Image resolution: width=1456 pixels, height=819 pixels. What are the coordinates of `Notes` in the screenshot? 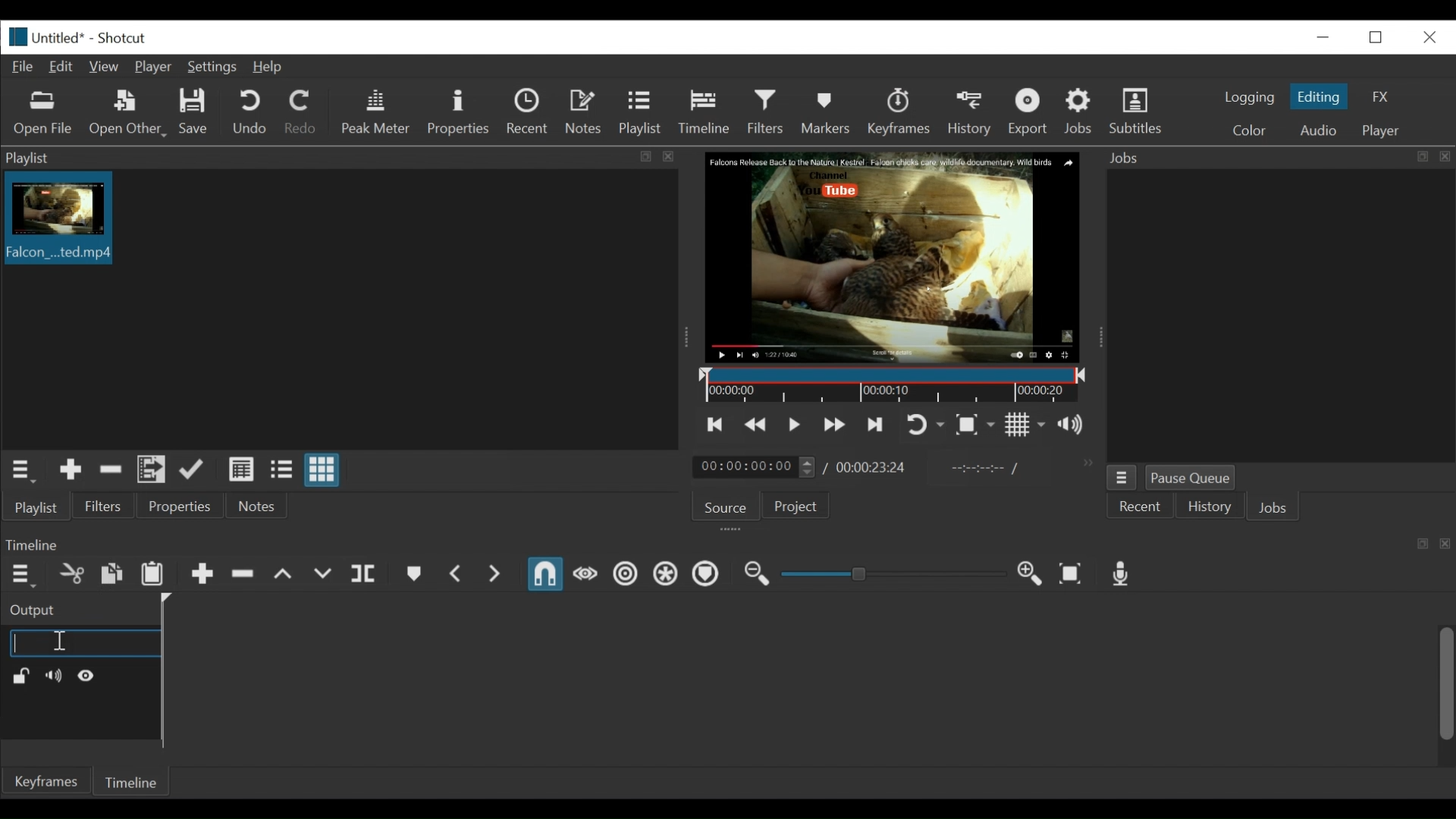 It's located at (585, 111).